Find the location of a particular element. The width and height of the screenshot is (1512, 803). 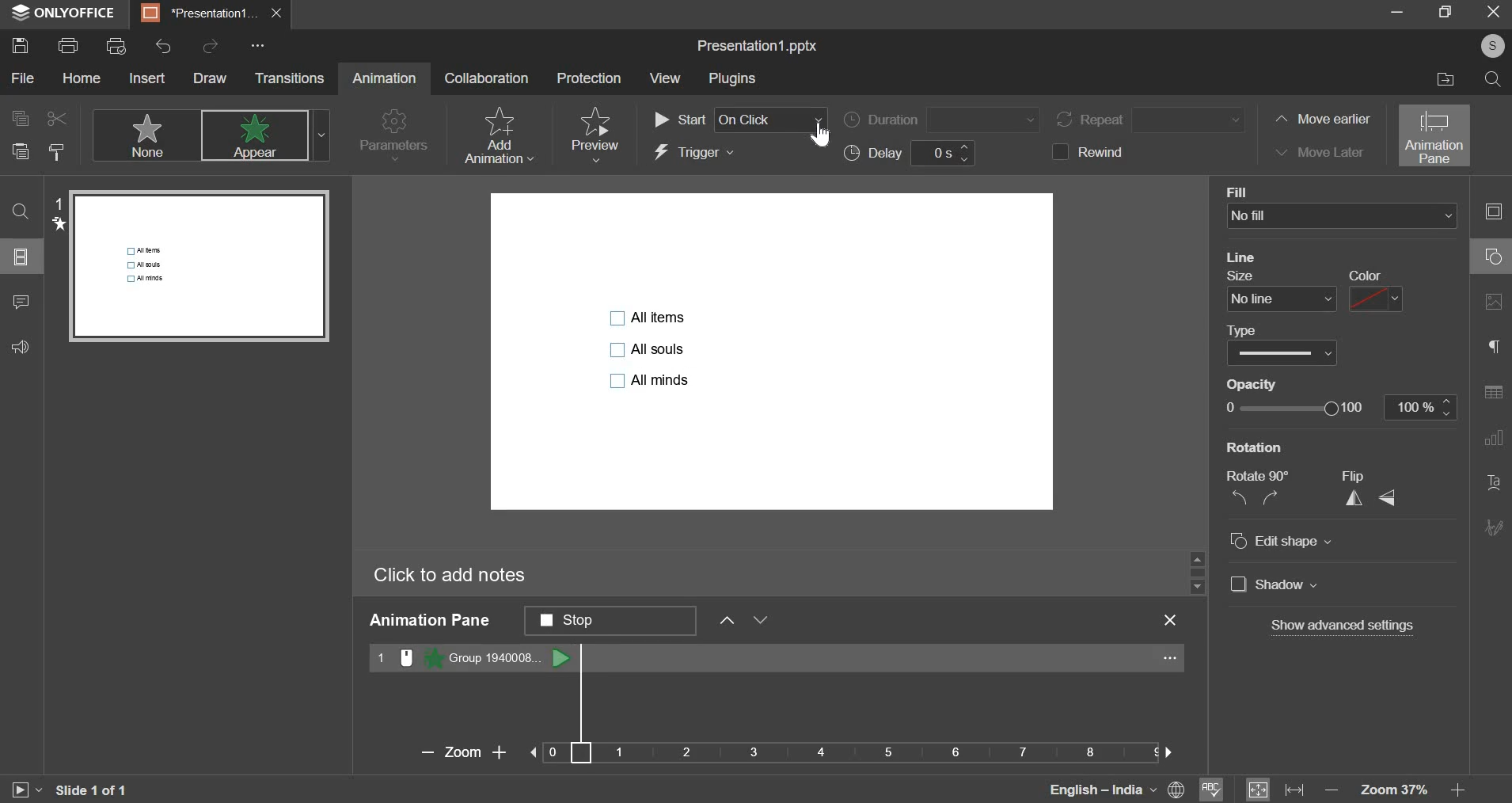

exit is located at coordinates (275, 13).